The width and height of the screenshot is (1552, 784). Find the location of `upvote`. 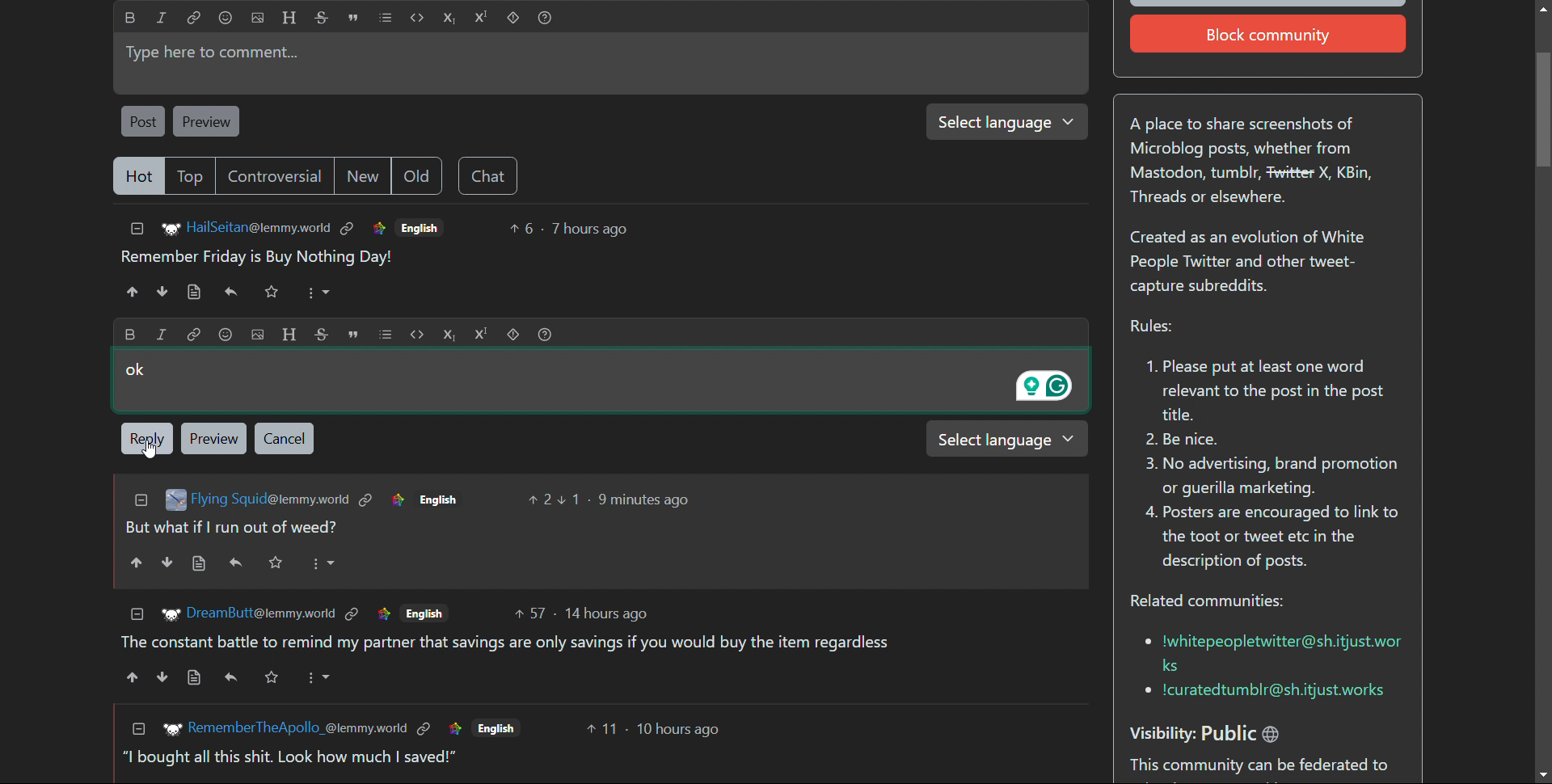

upvote is located at coordinates (126, 679).